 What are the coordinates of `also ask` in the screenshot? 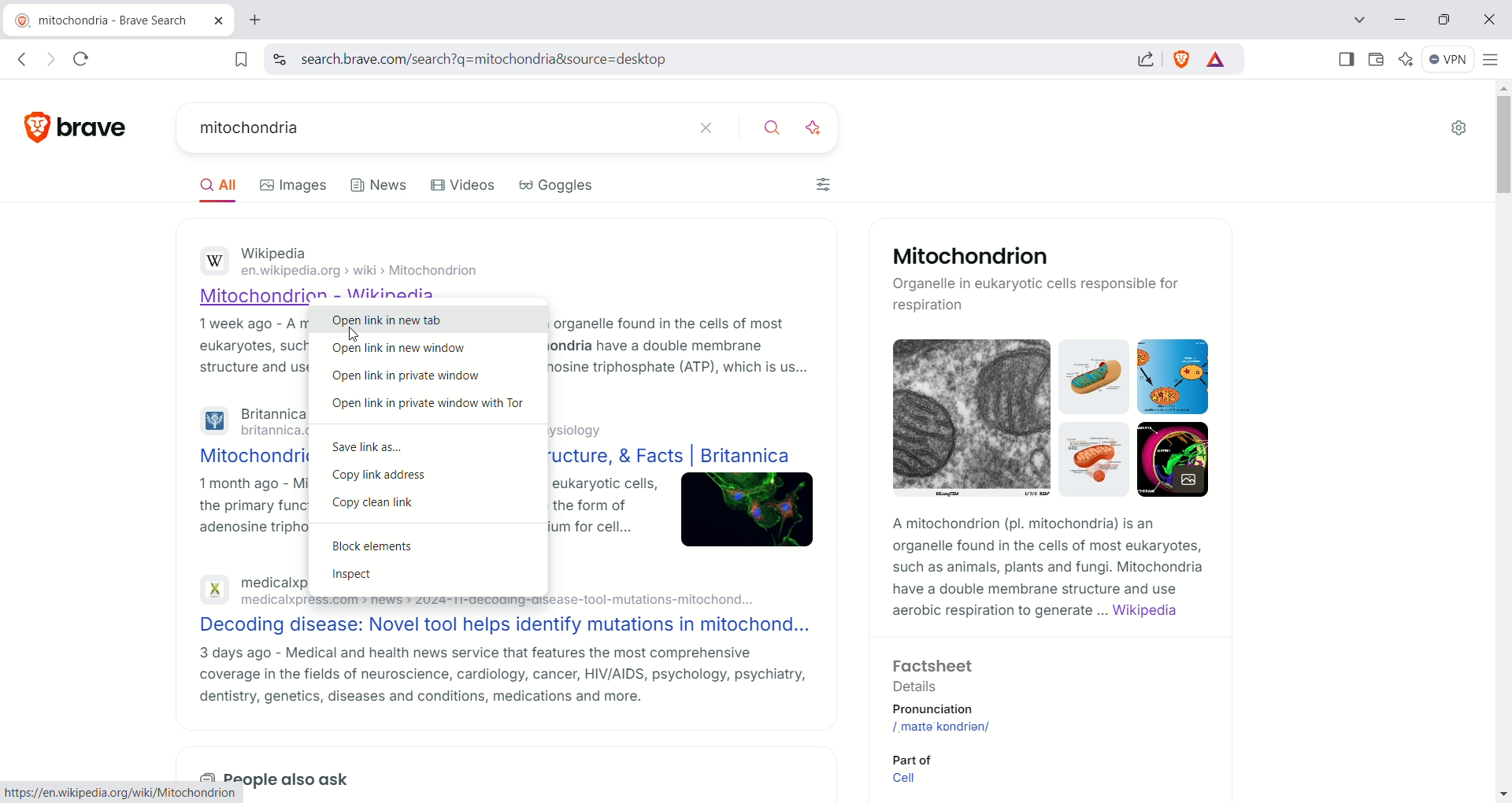 It's located at (316, 779).